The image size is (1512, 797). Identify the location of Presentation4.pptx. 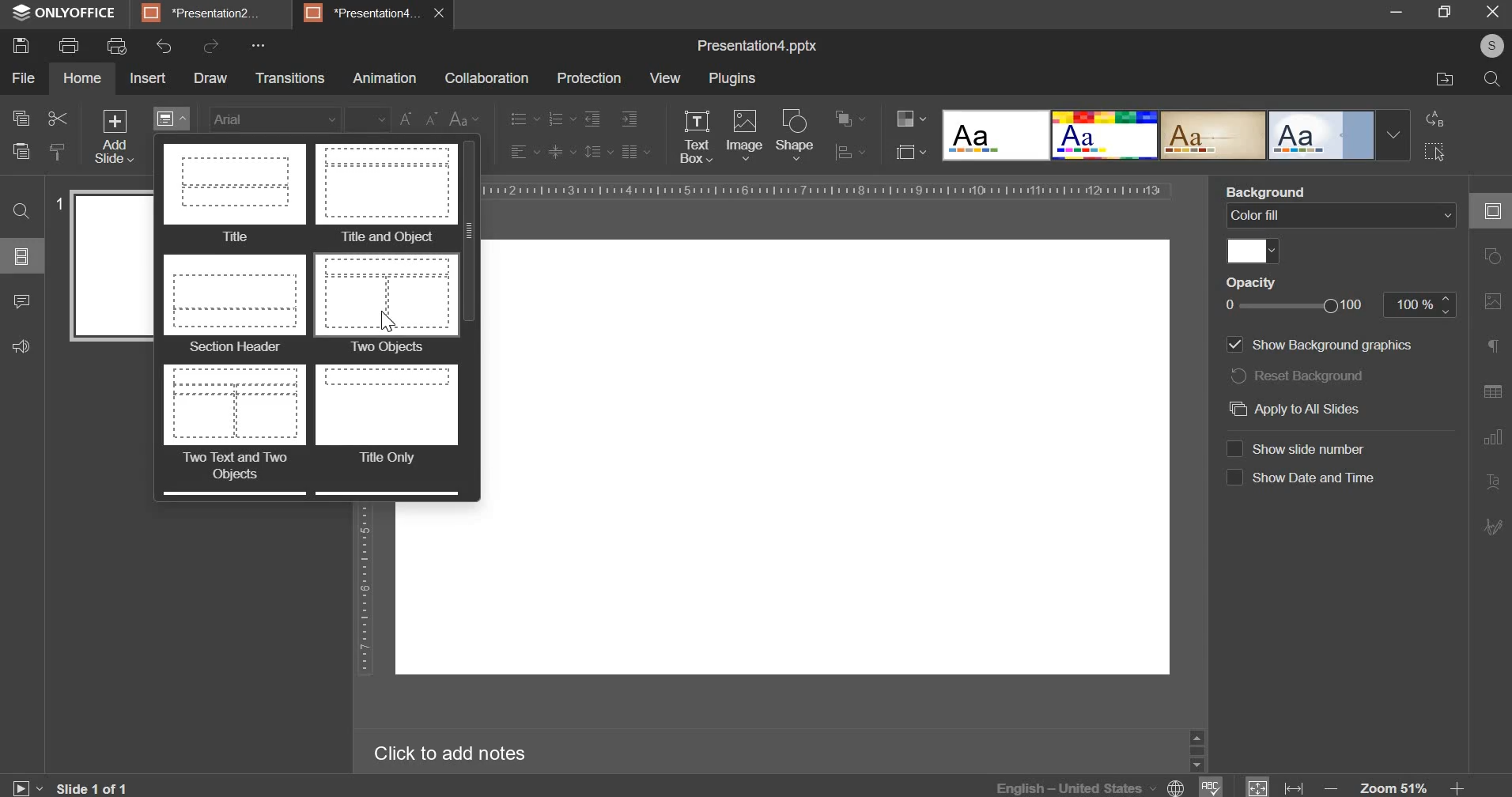
(755, 47).